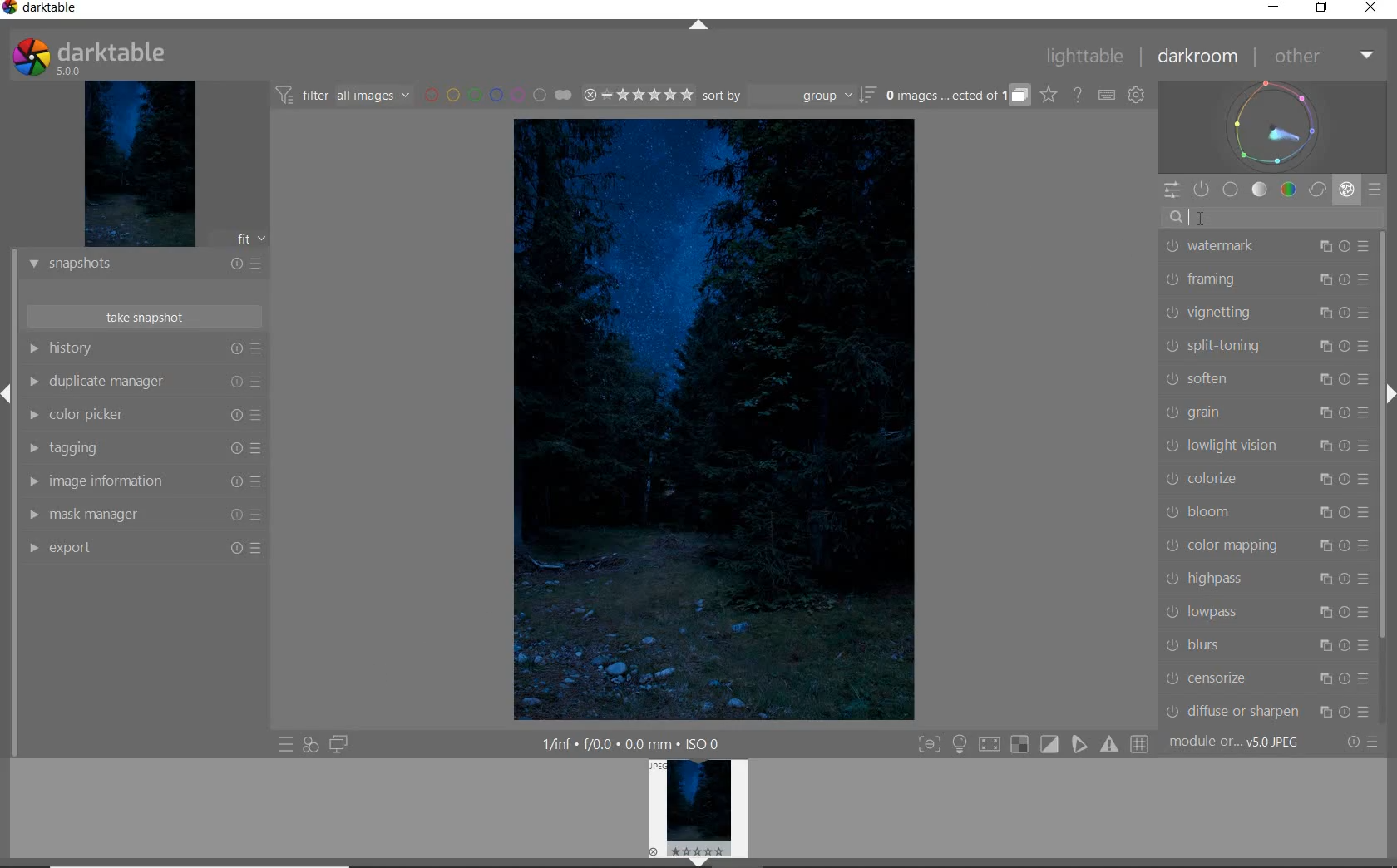  I want to click on cursor, so click(1203, 217).